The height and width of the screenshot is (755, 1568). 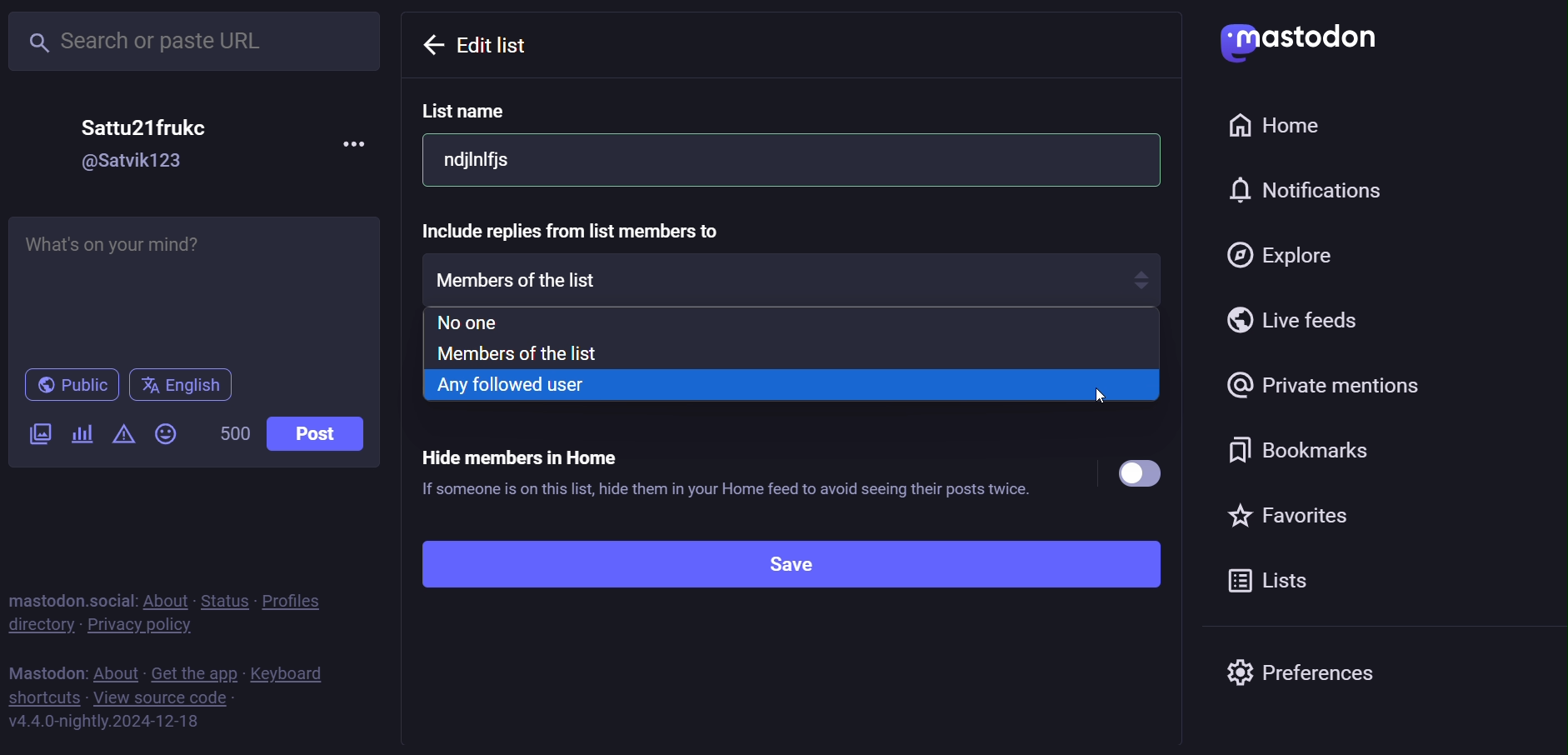 What do you see at coordinates (796, 161) in the screenshot?
I see `ndjinifjs |` at bounding box center [796, 161].